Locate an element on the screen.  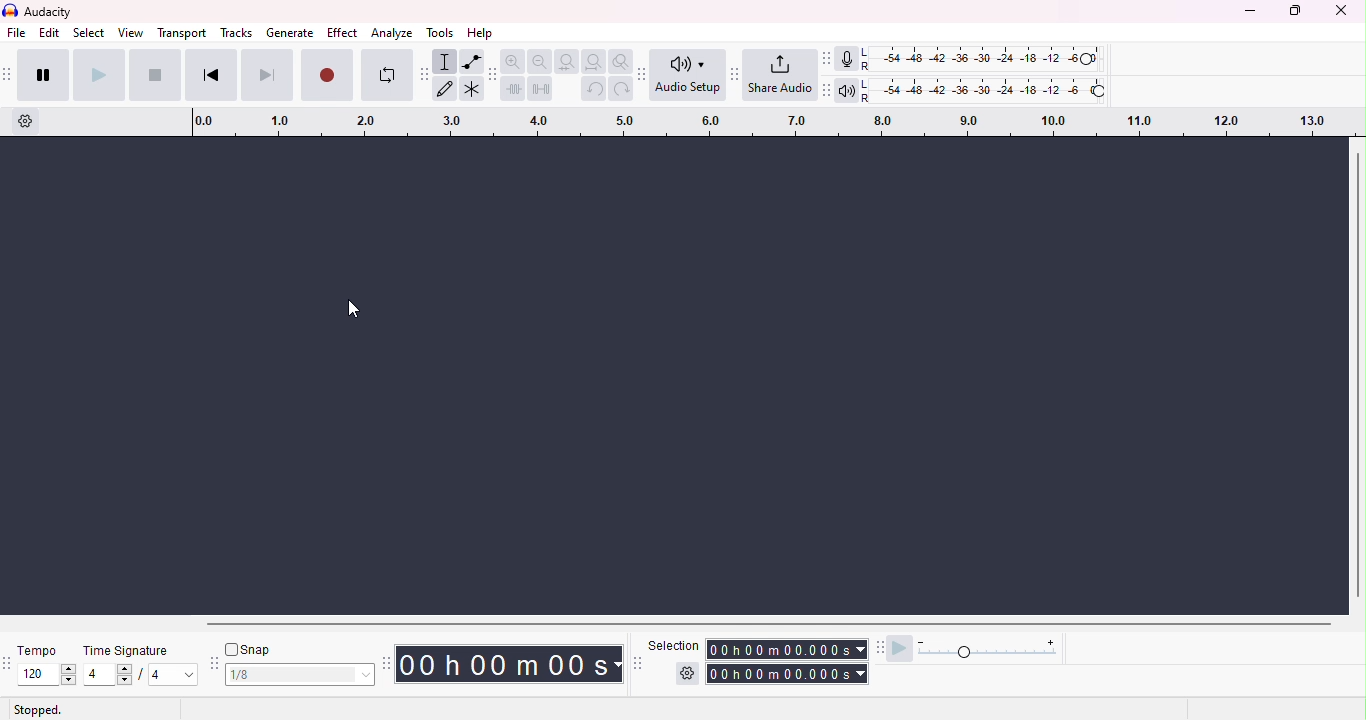
recording level is located at coordinates (981, 58).